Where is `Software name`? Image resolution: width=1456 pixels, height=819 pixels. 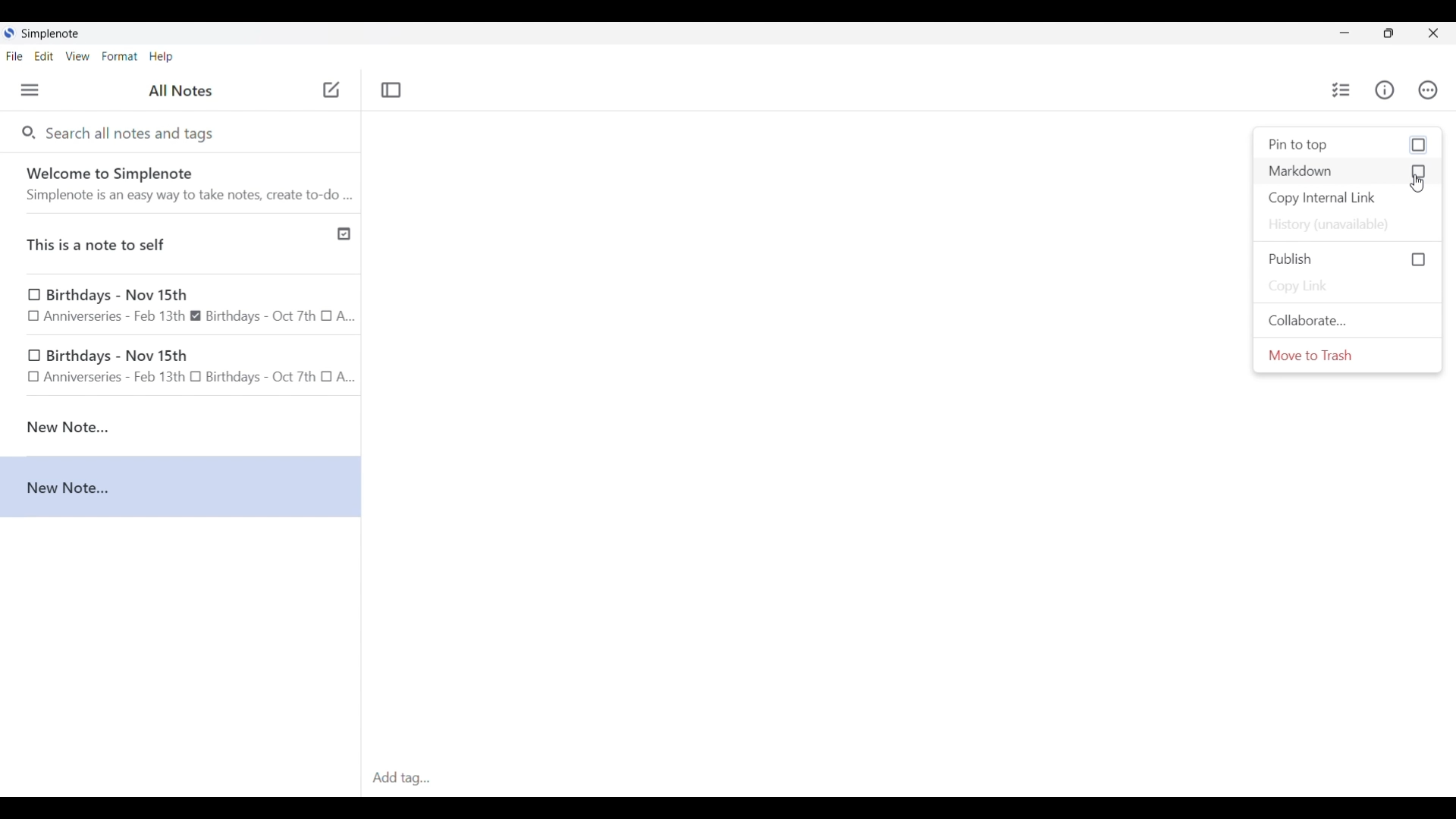 Software name is located at coordinates (52, 34).